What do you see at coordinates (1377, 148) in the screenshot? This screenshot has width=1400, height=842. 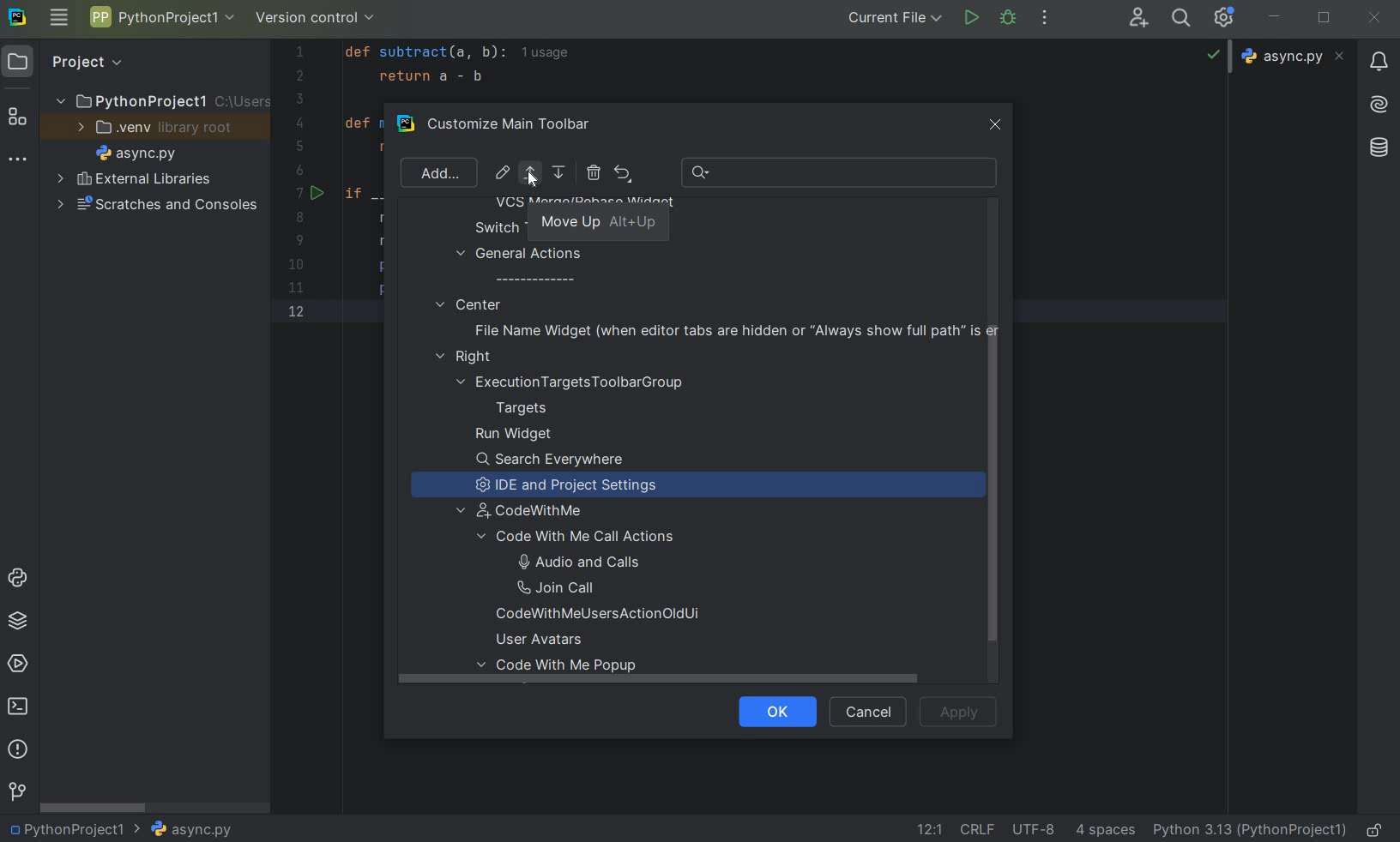 I see `` at bounding box center [1377, 148].